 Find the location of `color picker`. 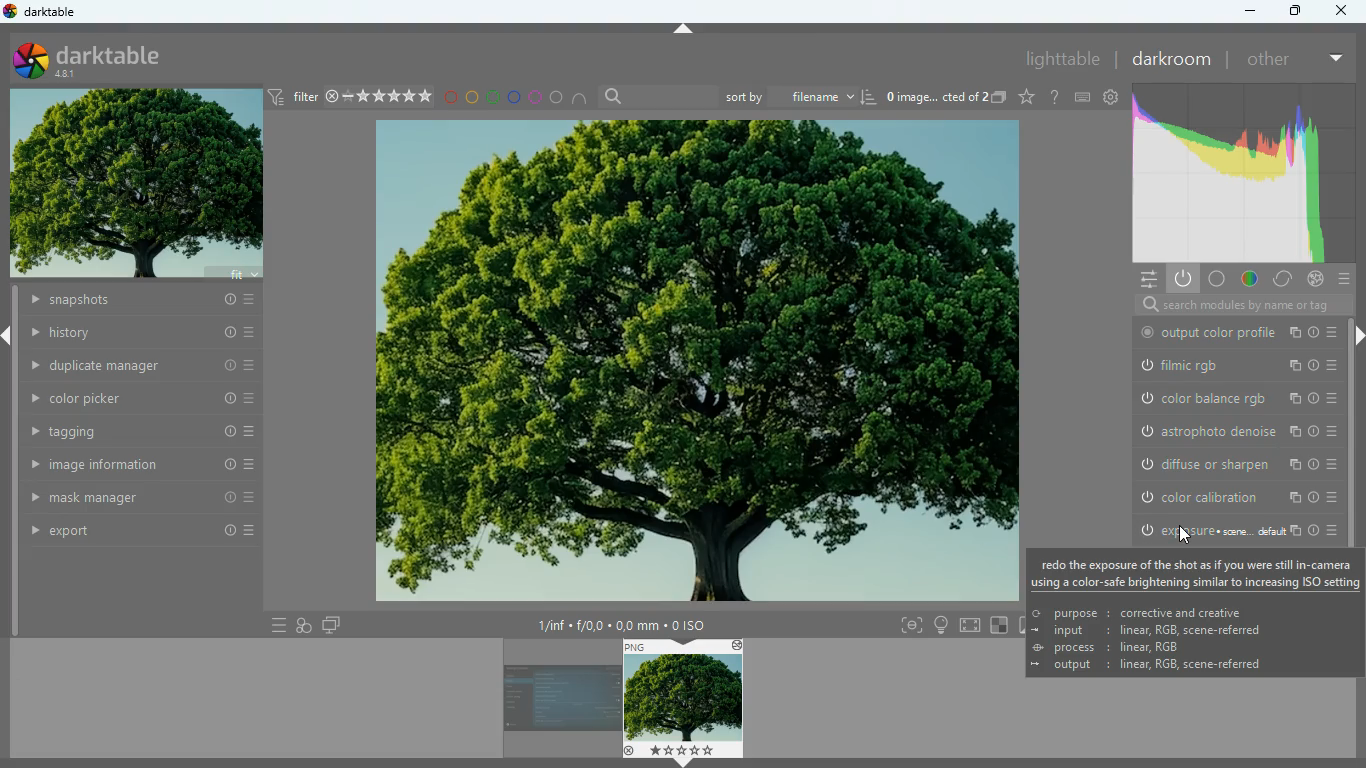

color picker is located at coordinates (134, 401).